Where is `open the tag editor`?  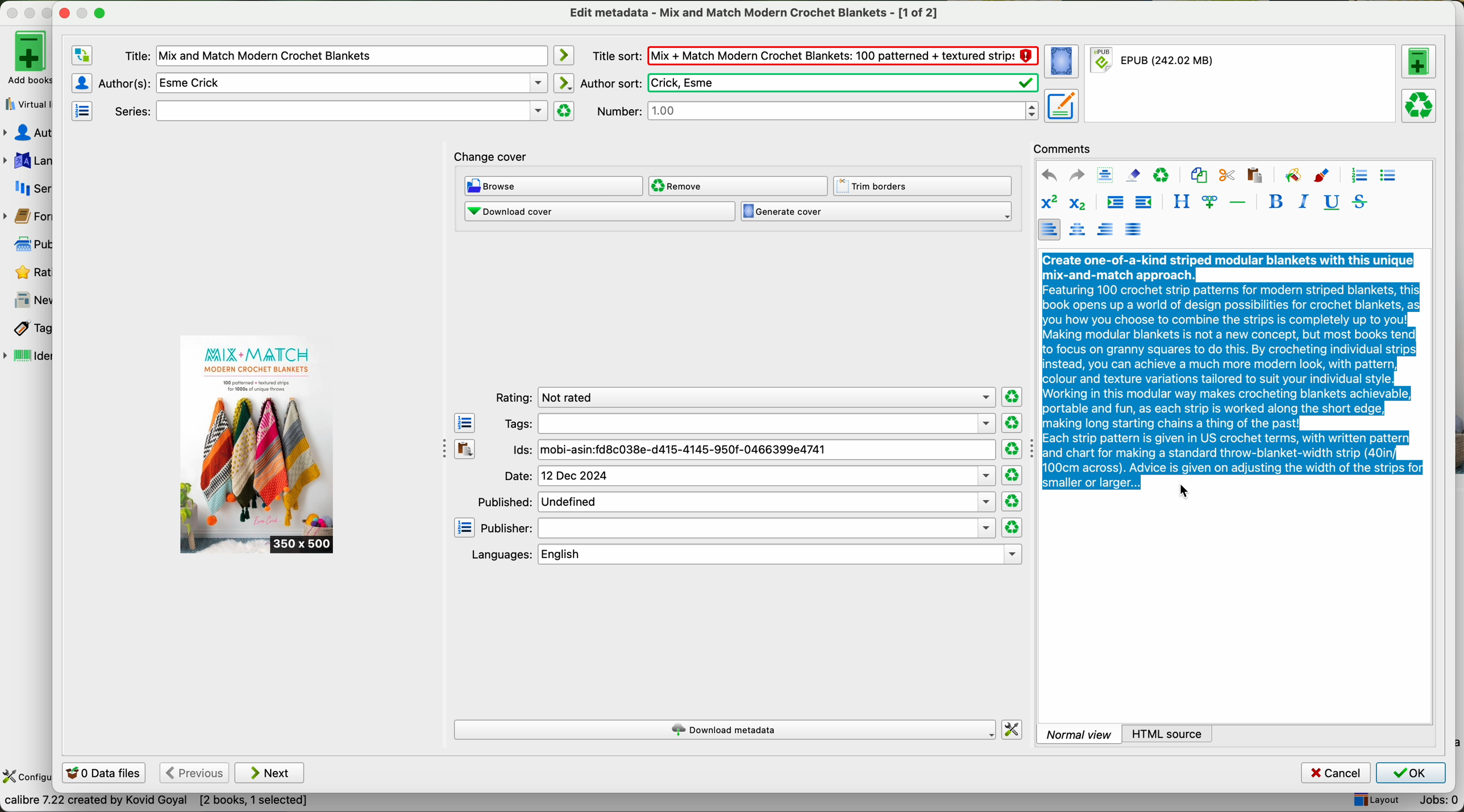
open the tag editor is located at coordinates (465, 423).